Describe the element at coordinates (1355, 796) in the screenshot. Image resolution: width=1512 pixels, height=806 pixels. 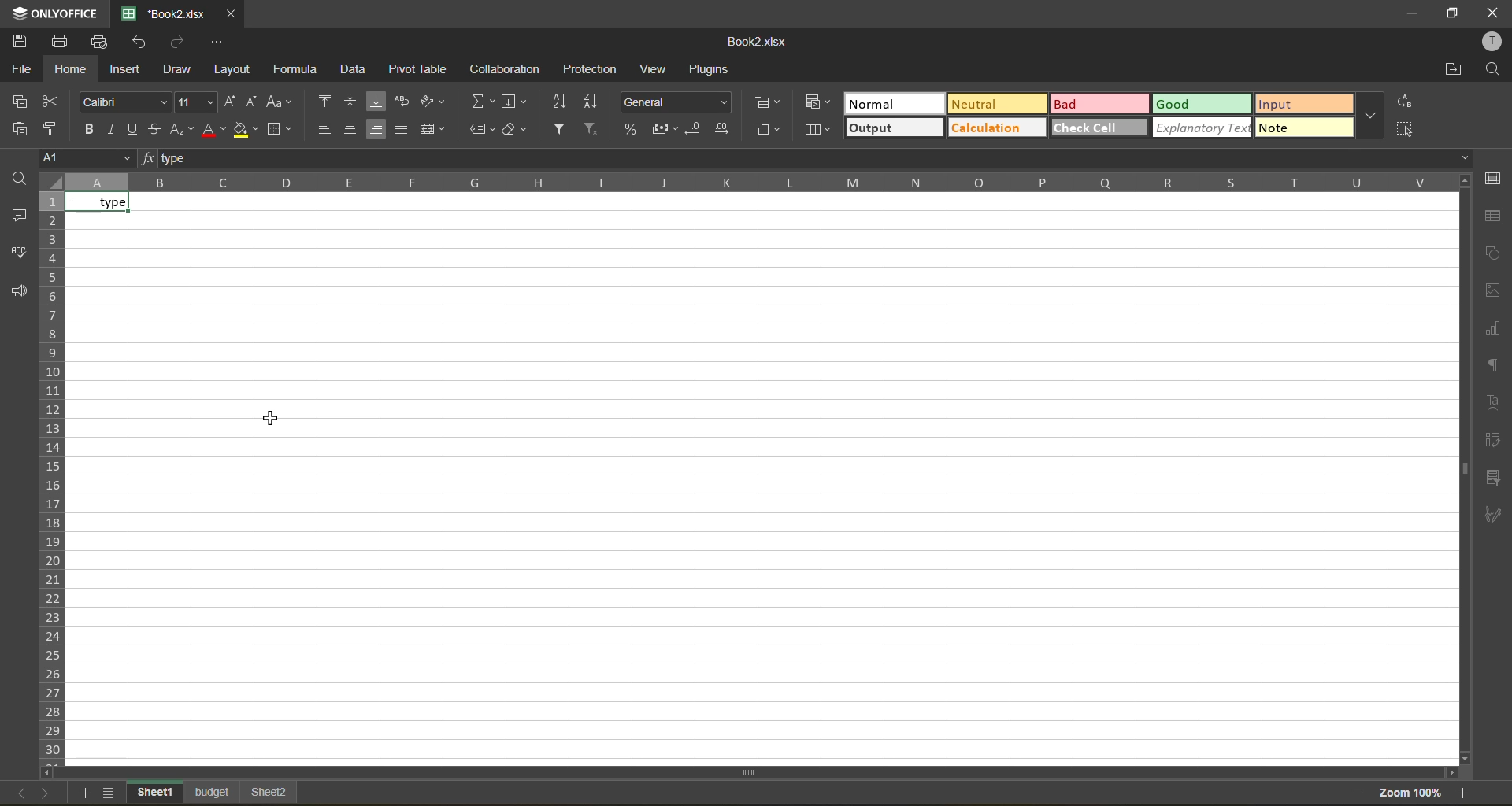
I see `zoom out` at that location.